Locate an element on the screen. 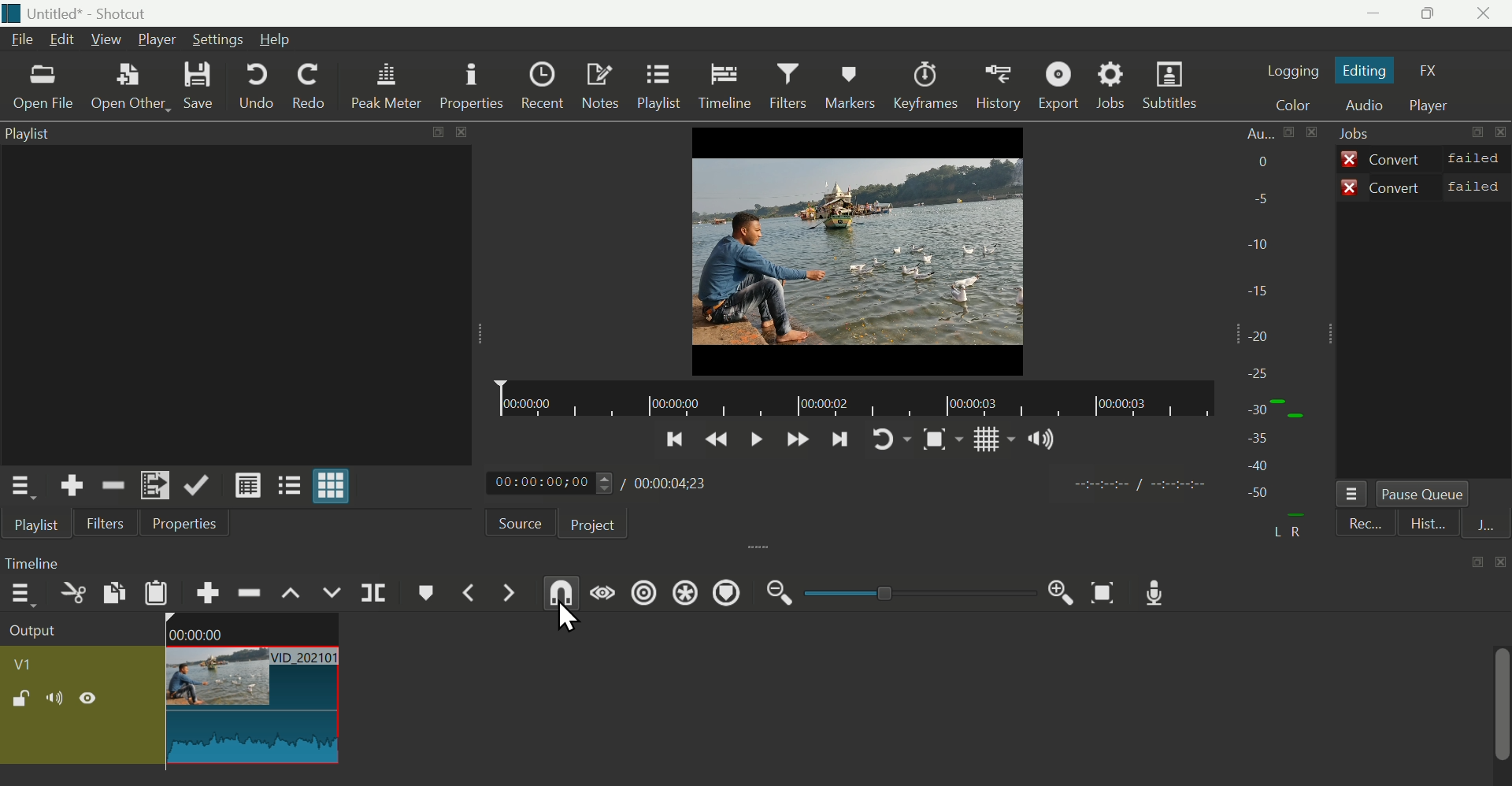 The height and width of the screenshot is (786, 1512).  is located at coordinates (524, 522).